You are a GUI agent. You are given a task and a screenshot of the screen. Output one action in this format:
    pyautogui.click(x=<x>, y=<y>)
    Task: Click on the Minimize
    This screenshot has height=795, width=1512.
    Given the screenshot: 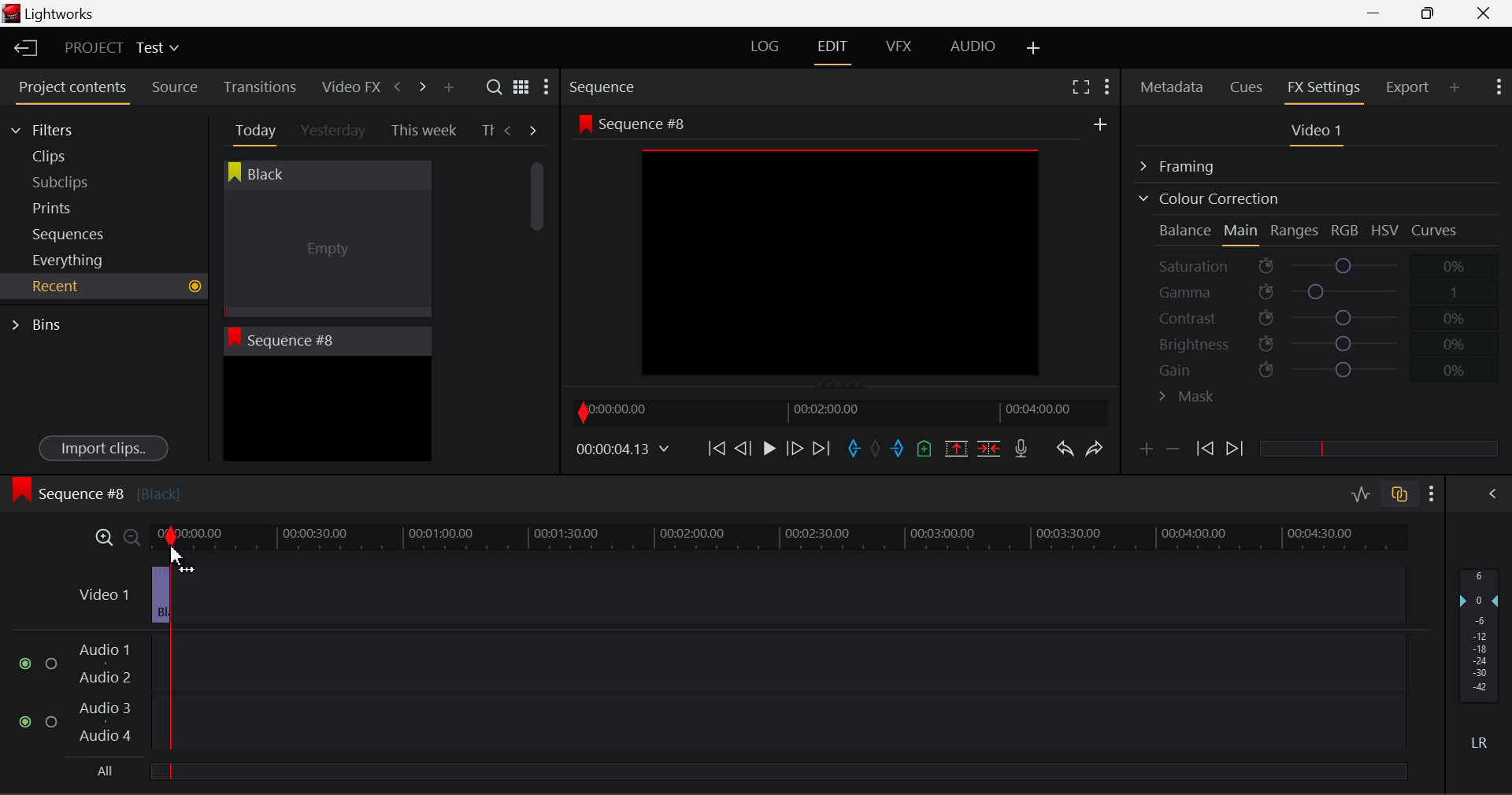 What is the action you would take?
    pyautogui.click(x=1432, y=13)
    